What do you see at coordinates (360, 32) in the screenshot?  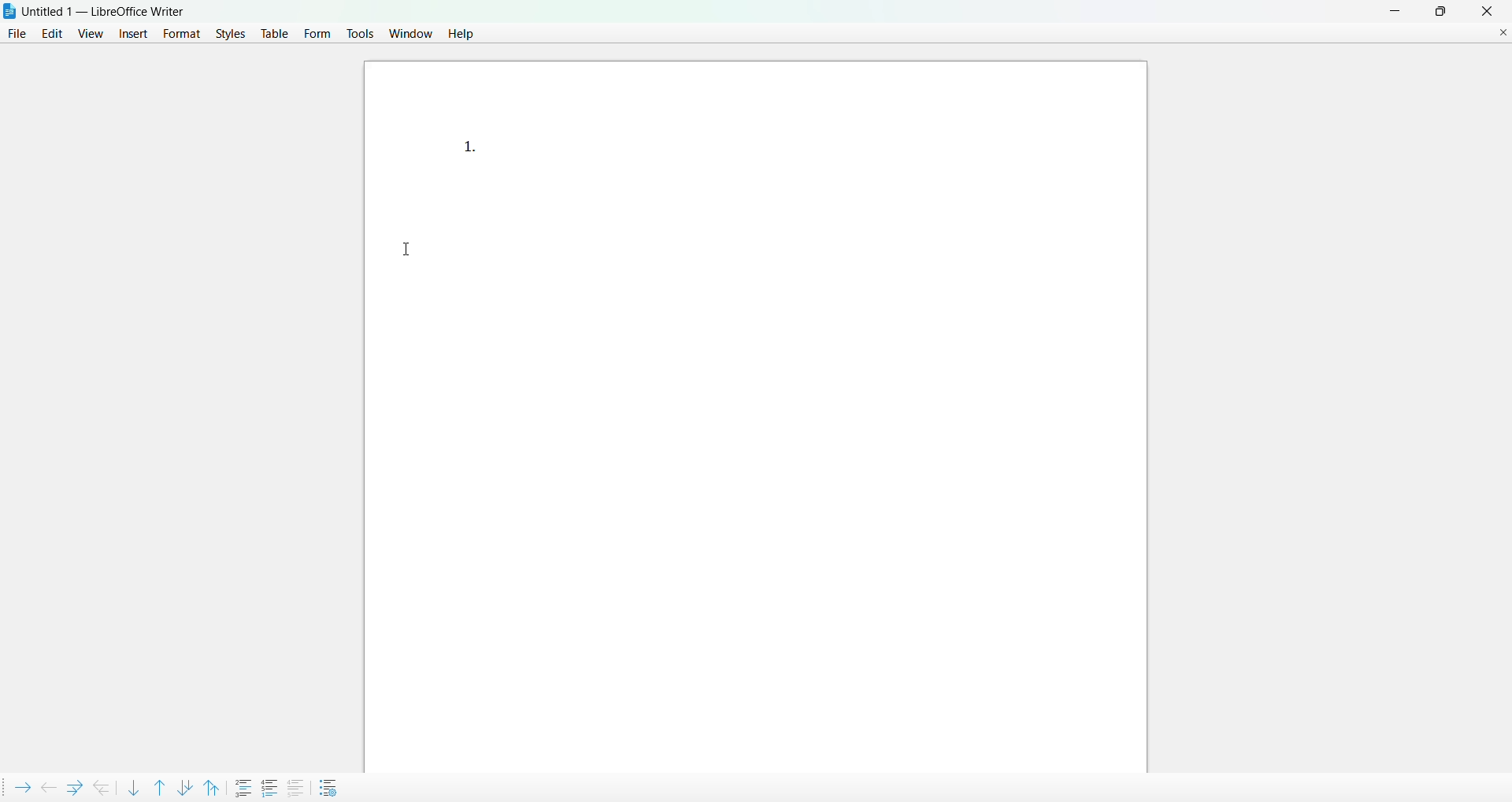 I see `tools` at bounding box center [360, 32].